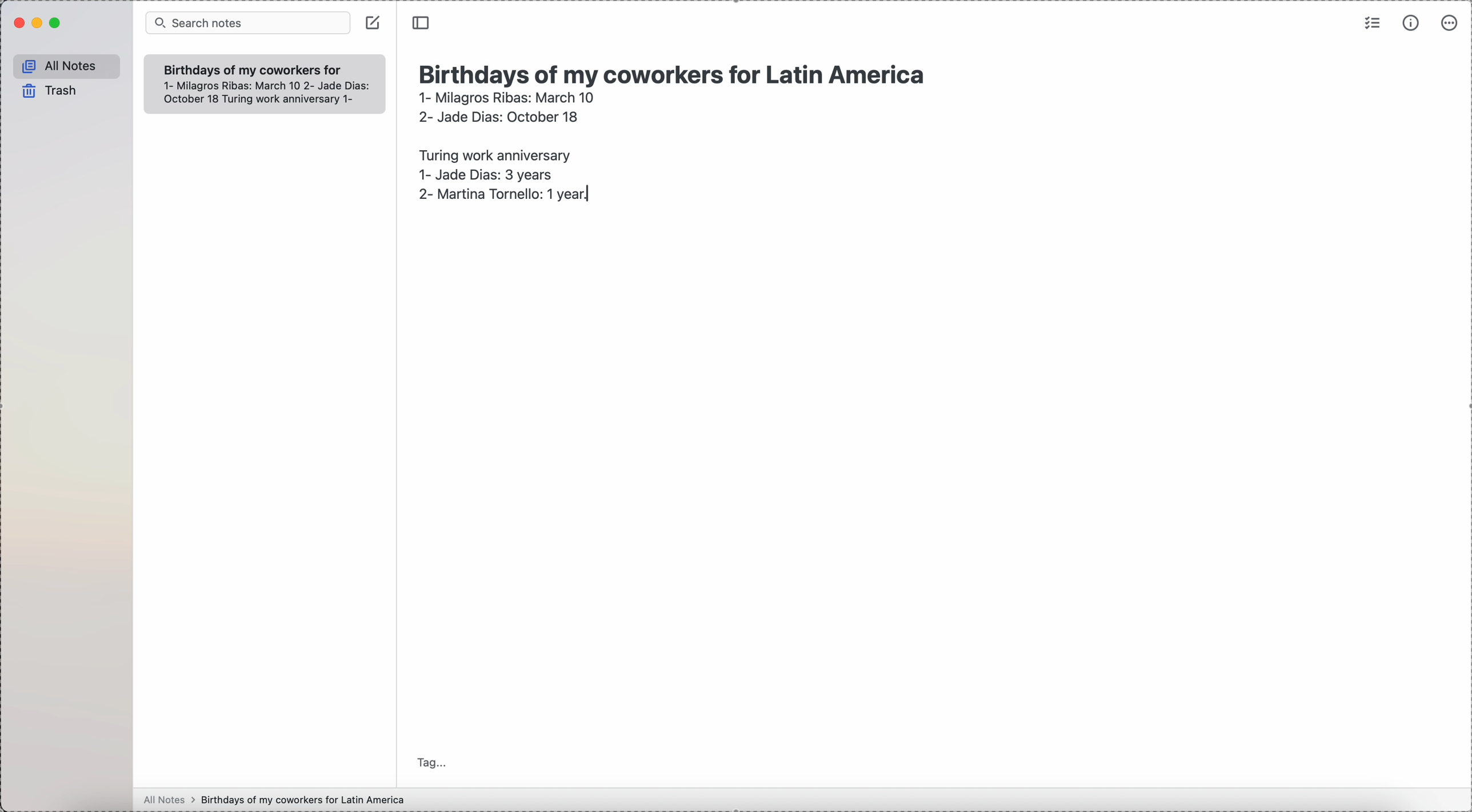 This screenshot has height=812, width=1472. I want to click on create note, so click(373, 22).